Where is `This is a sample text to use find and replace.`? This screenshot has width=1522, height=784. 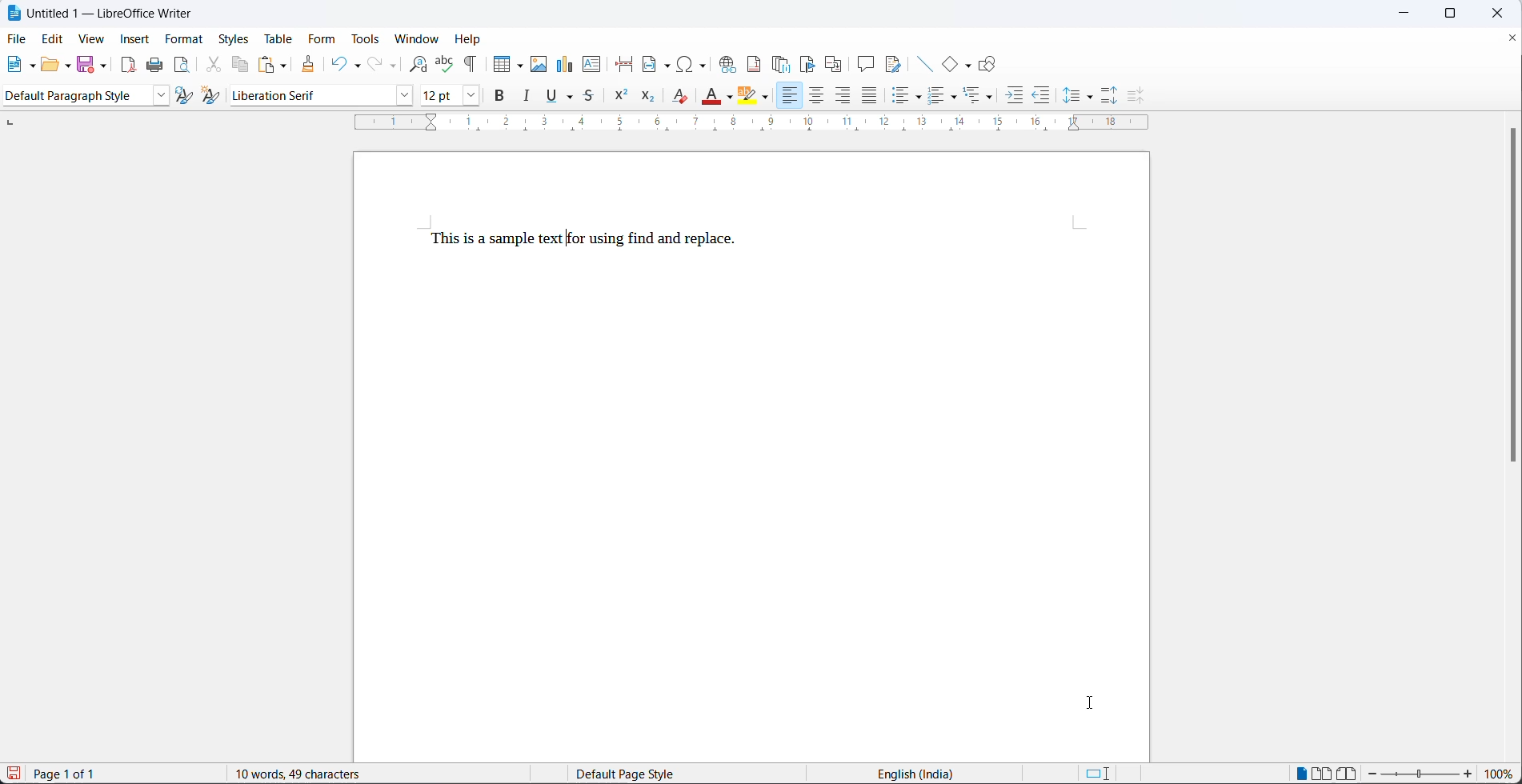 This is a sample text to use find and replace. is located at coordinates (589, 238).